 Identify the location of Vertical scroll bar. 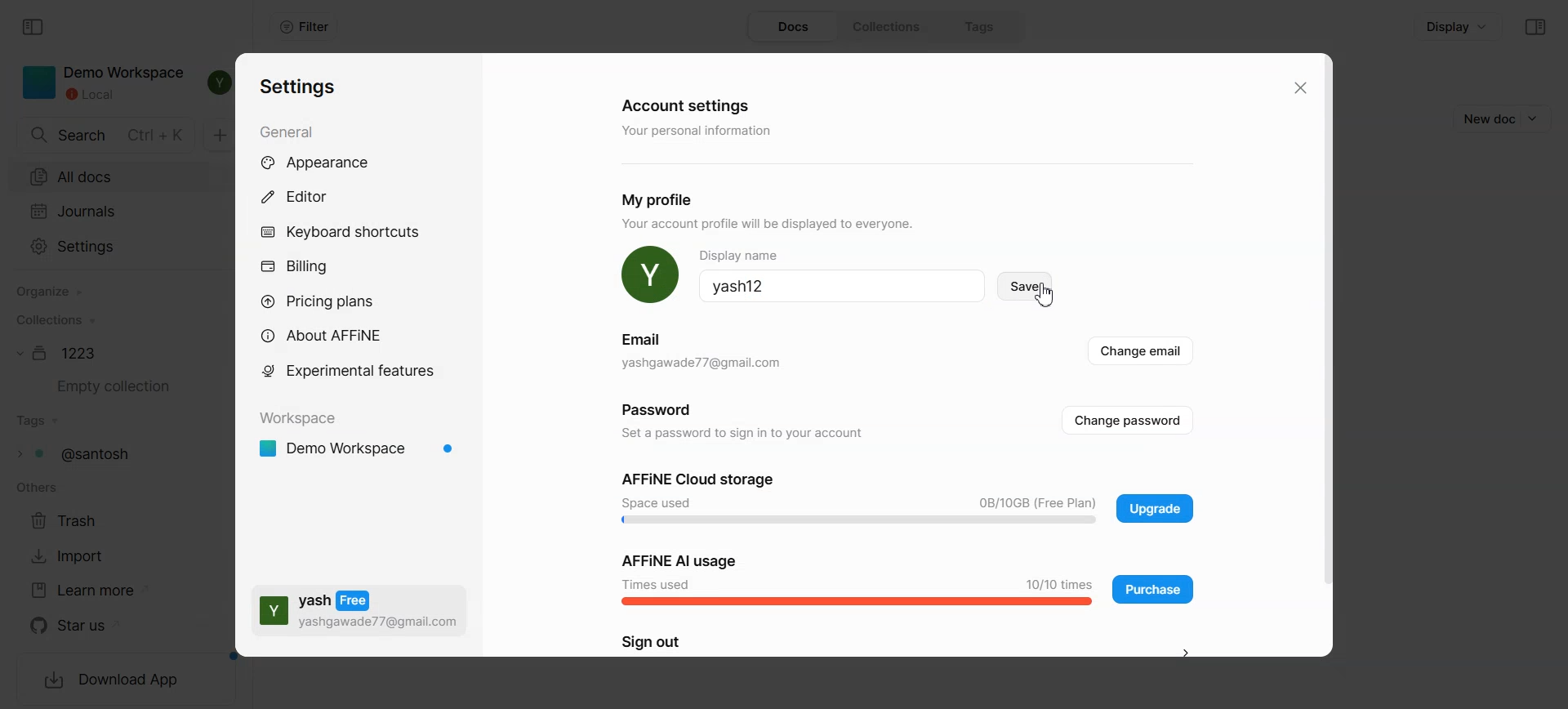
(1324, 354).